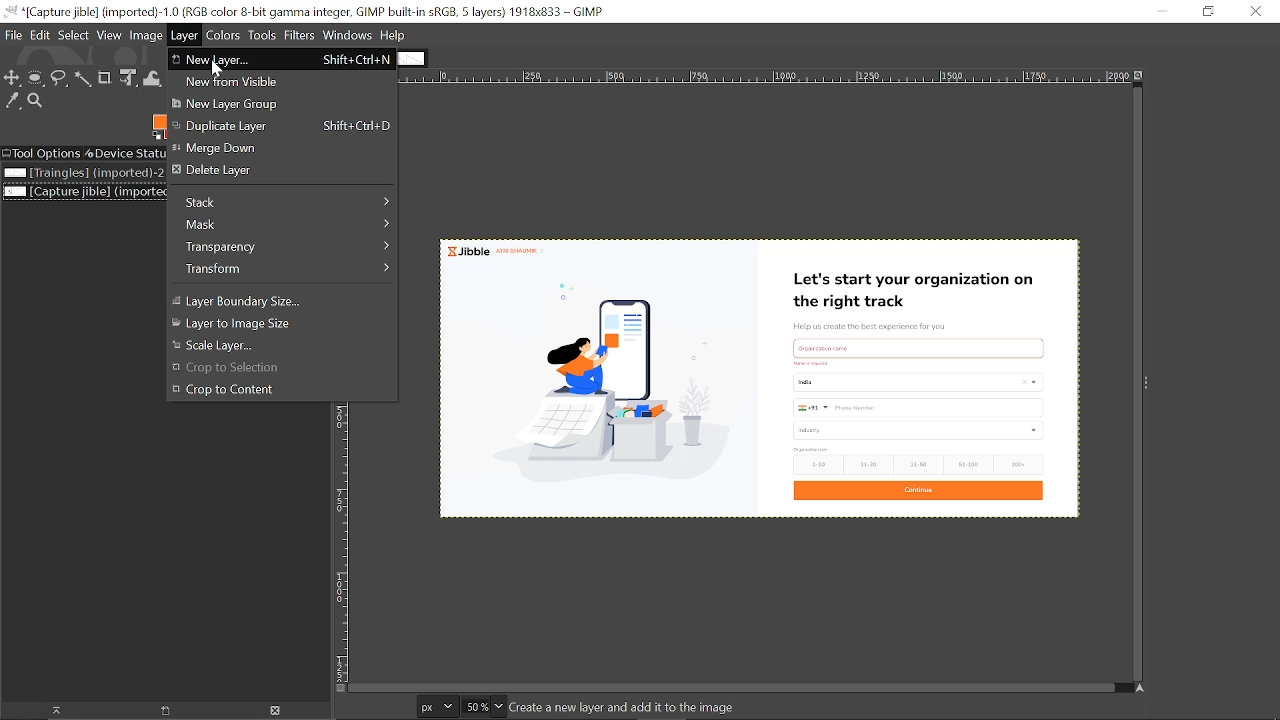 Image resolution: width=1280 pixels, height=720 pixels. What do you see at coordinates (83, 79) in the screenshot?
I see `Fuzzy select tool` at bounding box center [83, 79].